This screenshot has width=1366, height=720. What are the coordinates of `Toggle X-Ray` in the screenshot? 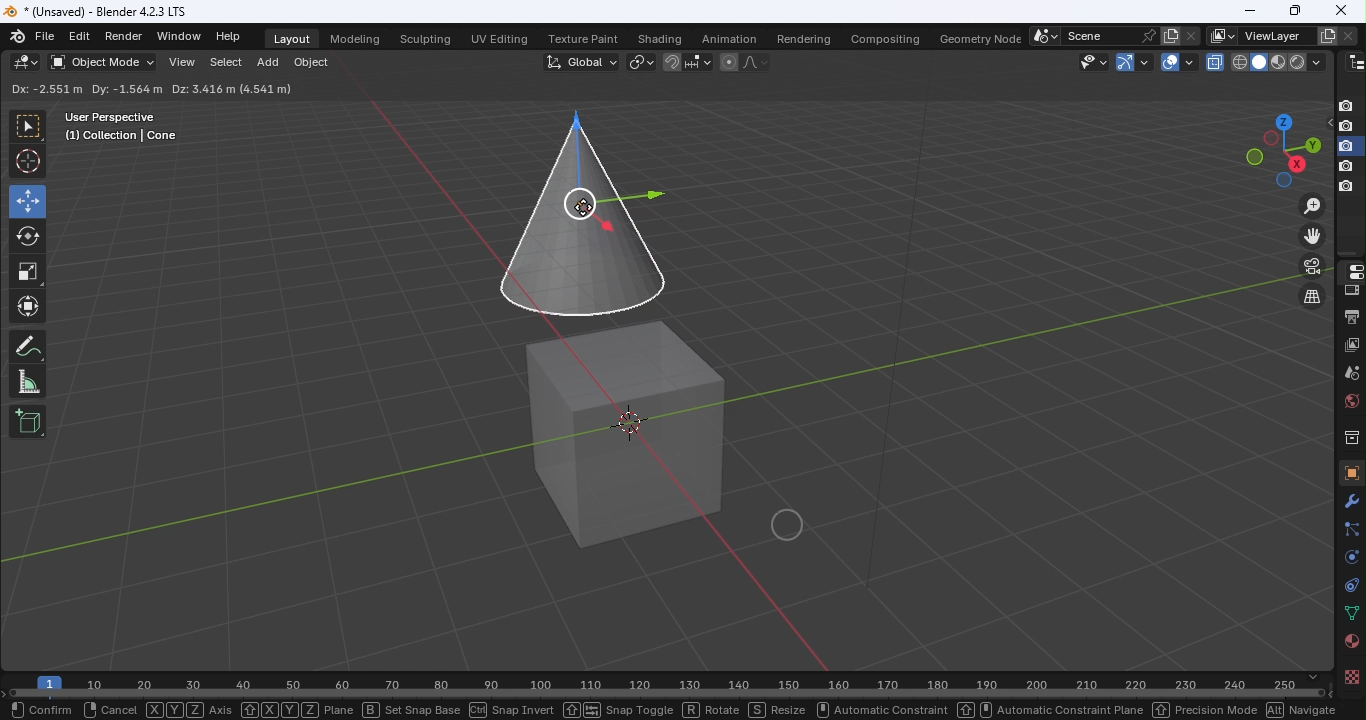 It's located at (1216, 61).